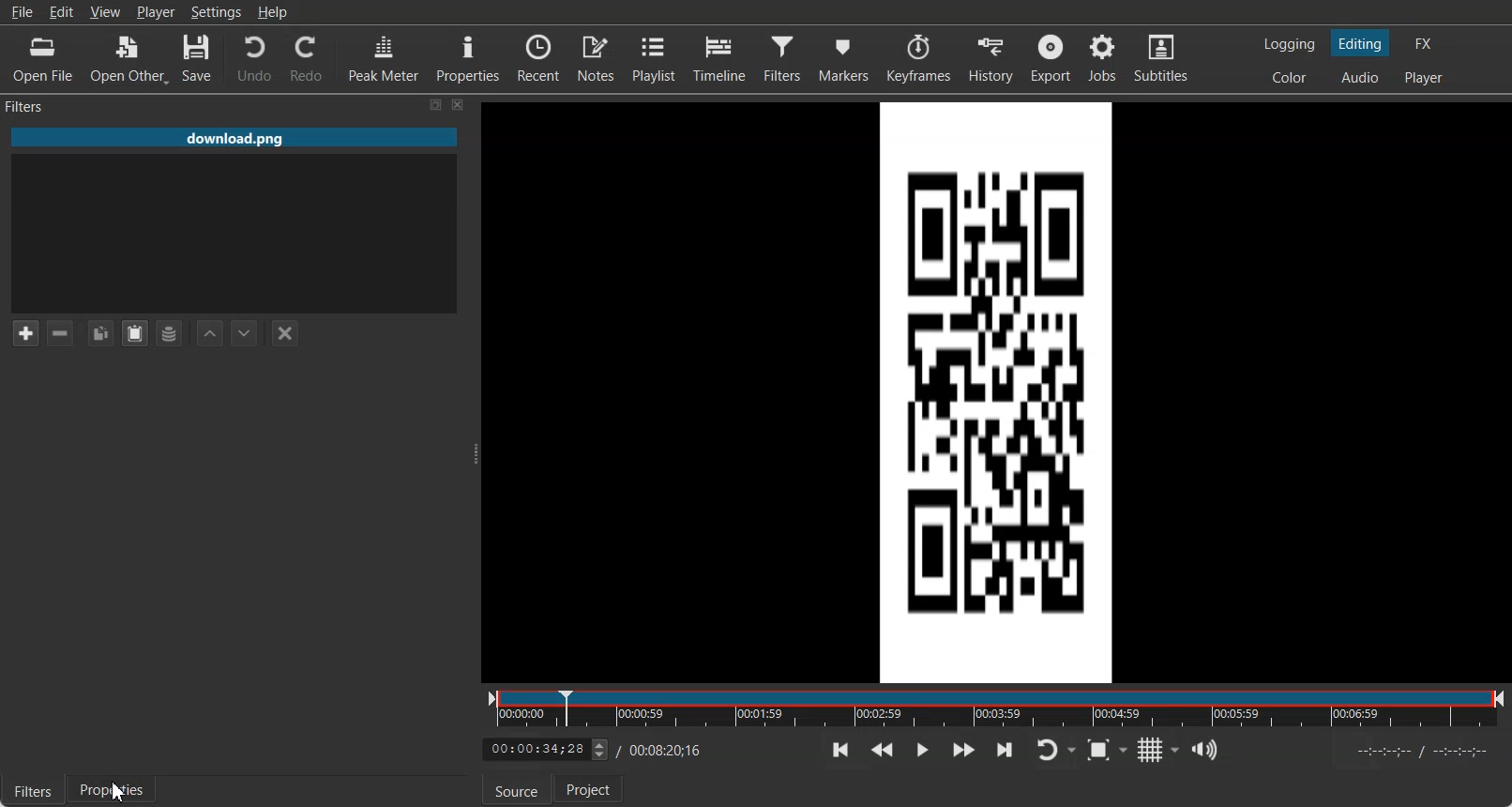 Image resolution: width=1512 pixels, height=807 pixels. What do you see at coordinates (170, 334) in the screenshot?
I see `Save a filter set` at bounding box center [170, 334].